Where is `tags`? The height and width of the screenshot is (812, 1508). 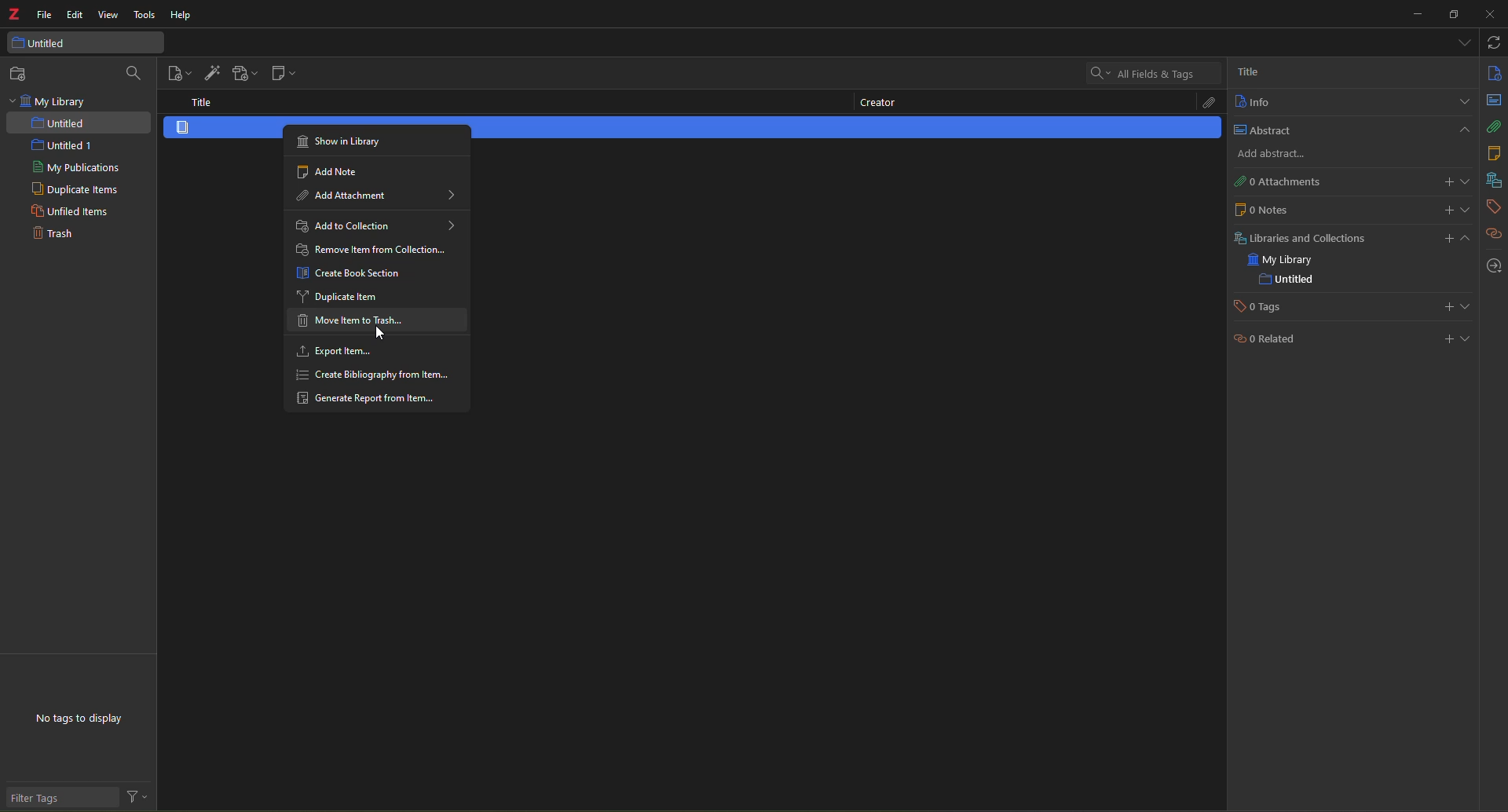 tags is located at coordinates (1263, 307).